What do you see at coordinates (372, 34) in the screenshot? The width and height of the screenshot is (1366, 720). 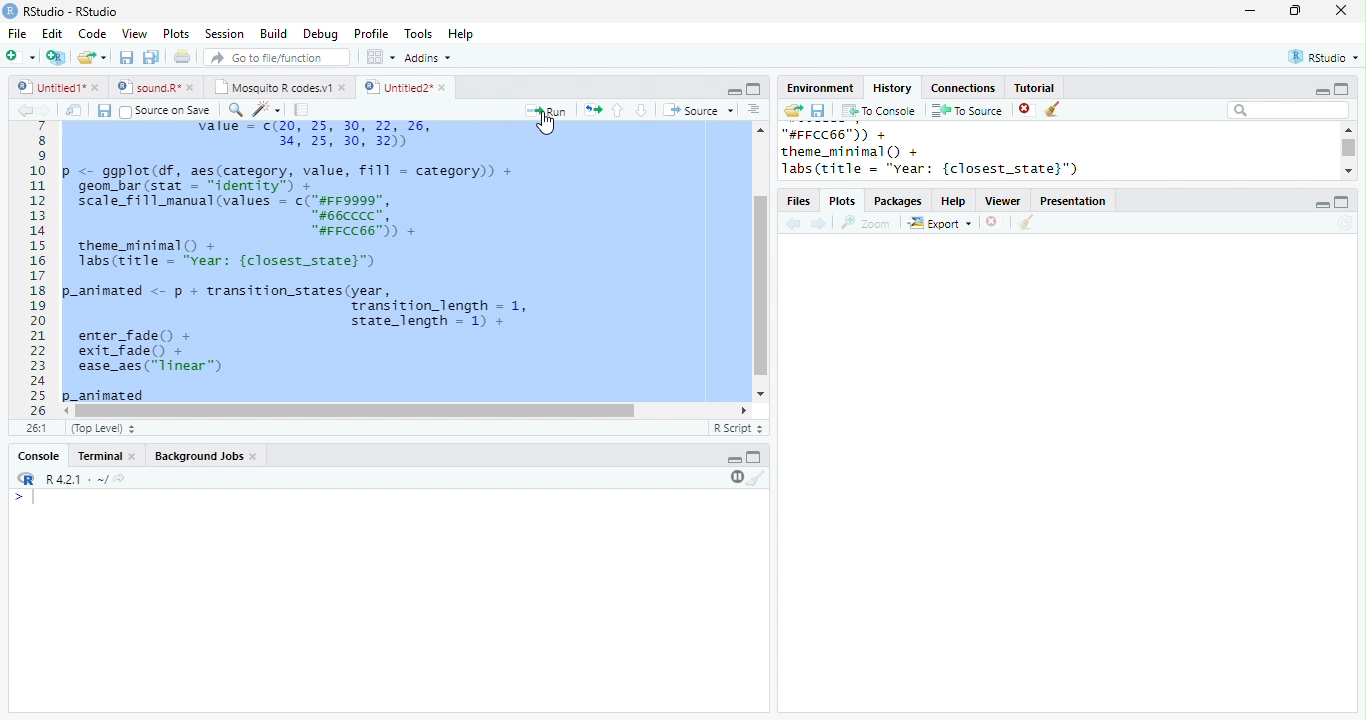 I see `Profile` at bounding box center [372, 34].